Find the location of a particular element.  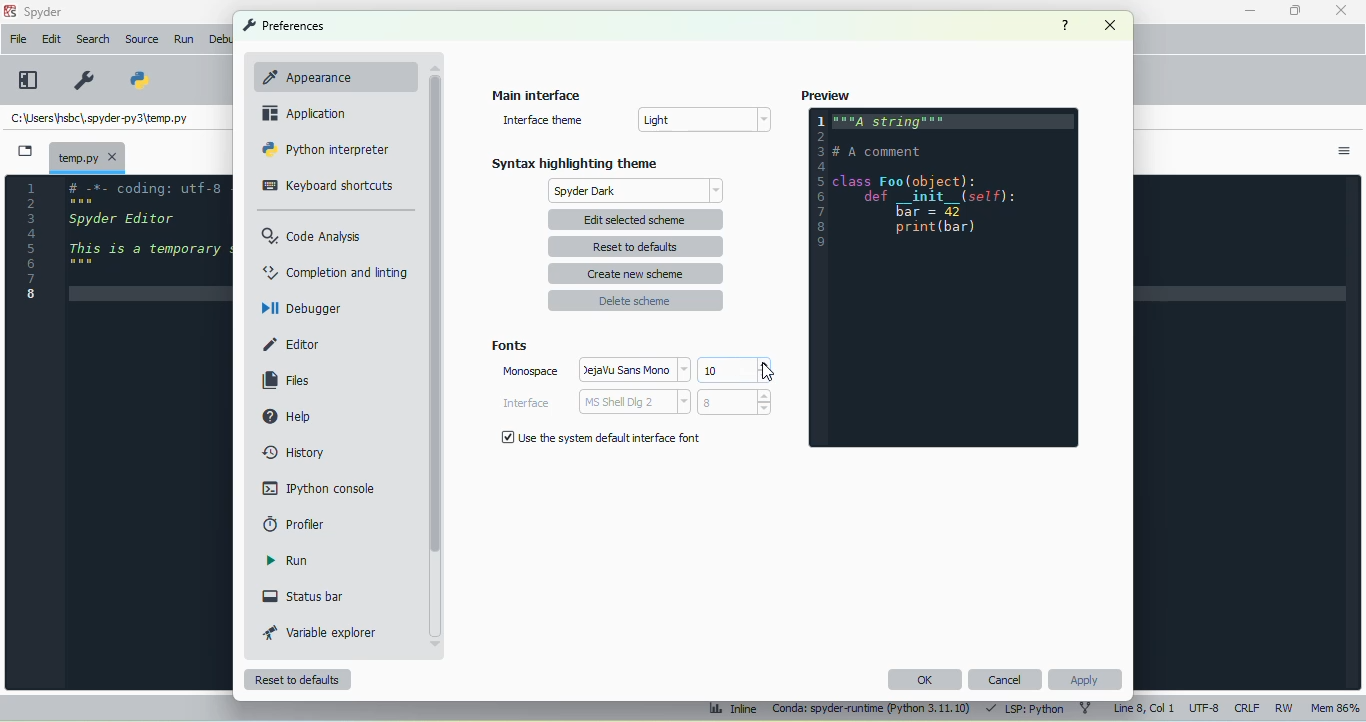

files is located at coordinates (287, 381).